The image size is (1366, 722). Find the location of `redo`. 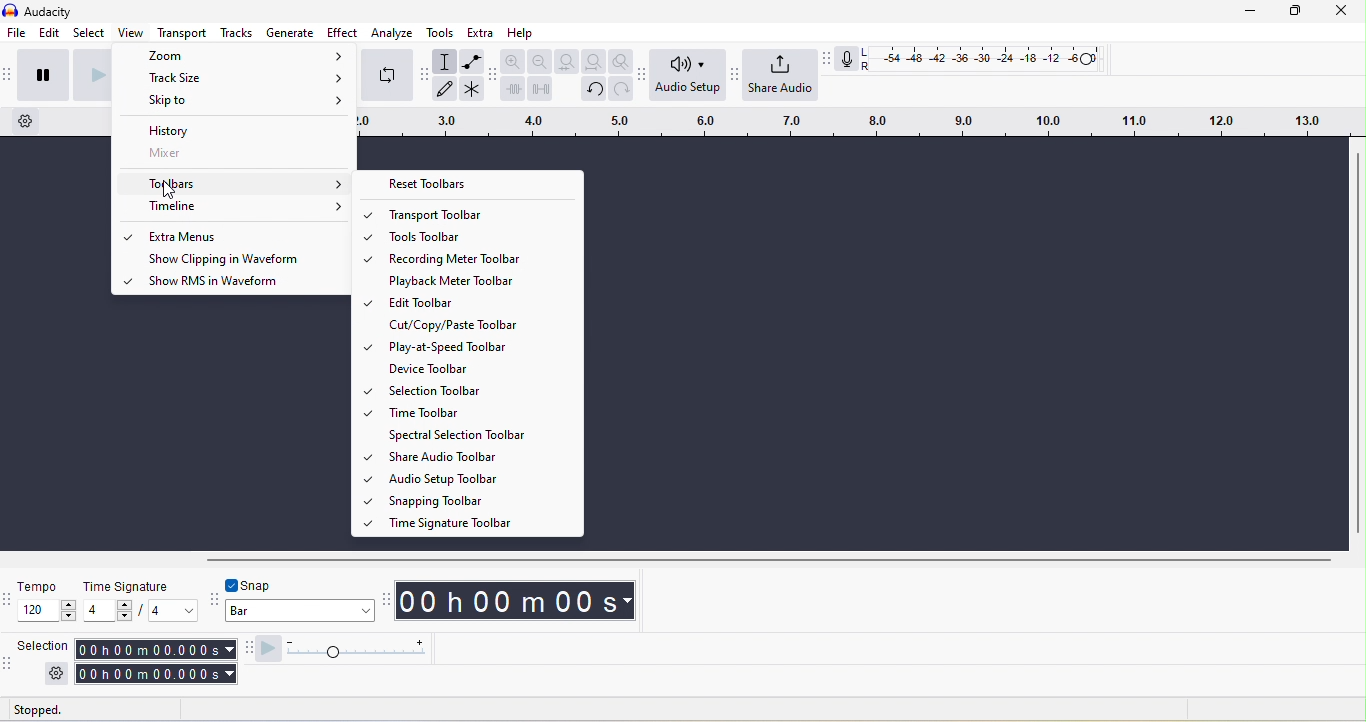

redo is located at coordinates (621, 89).